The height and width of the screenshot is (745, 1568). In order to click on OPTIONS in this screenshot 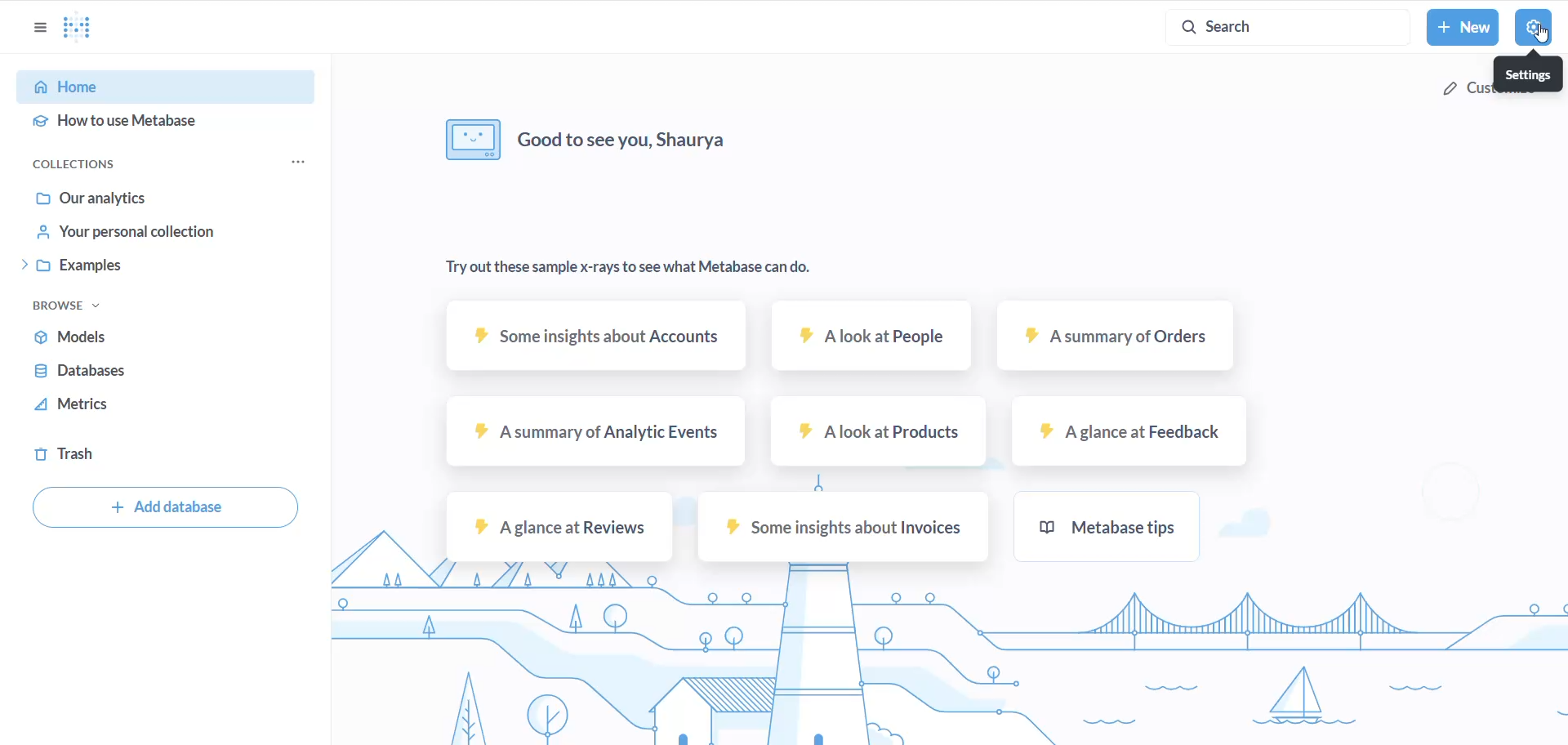, I will do `click(38, 27)`.